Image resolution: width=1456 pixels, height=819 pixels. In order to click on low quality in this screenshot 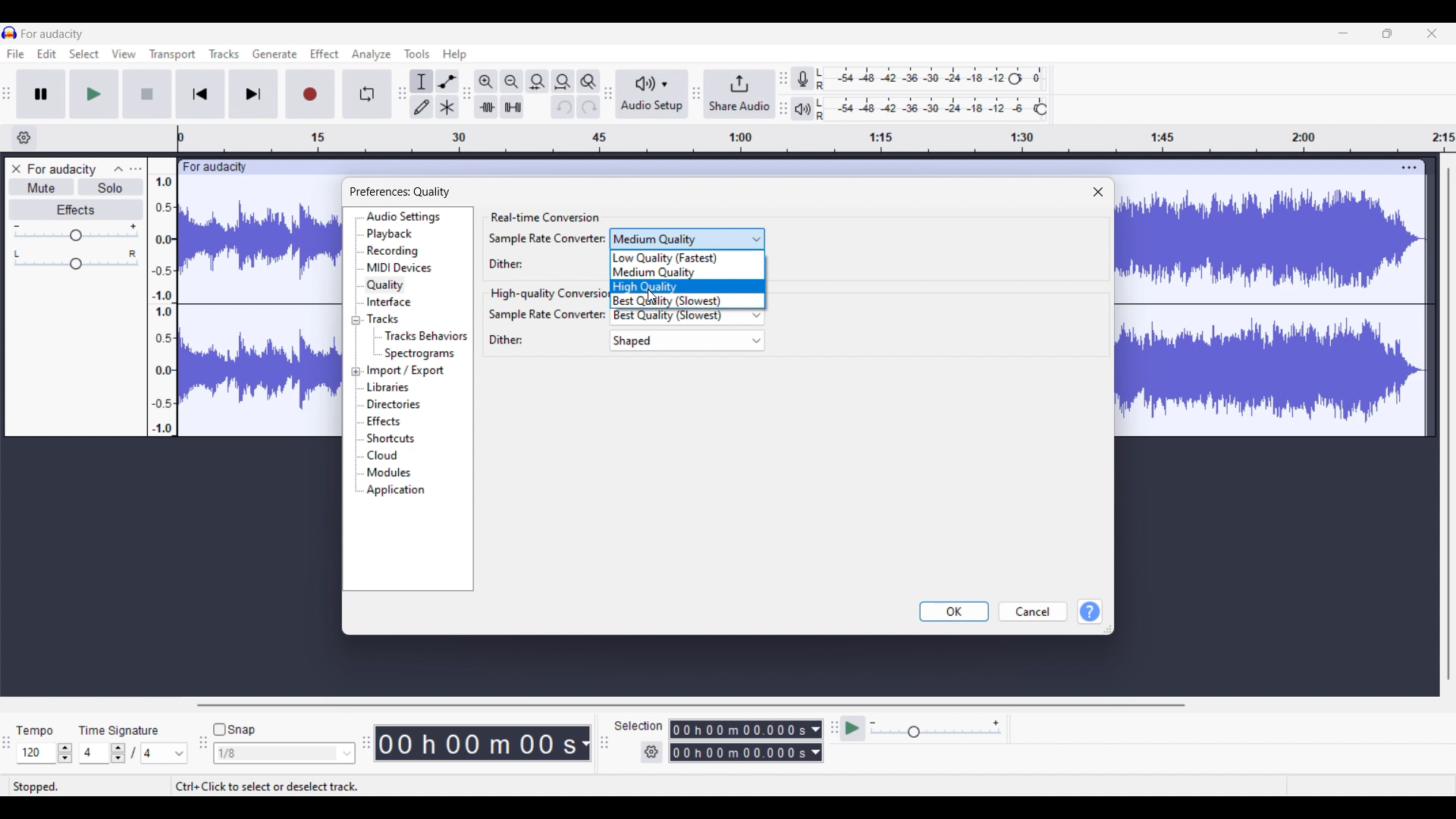, I will do `click(689, 258)`.